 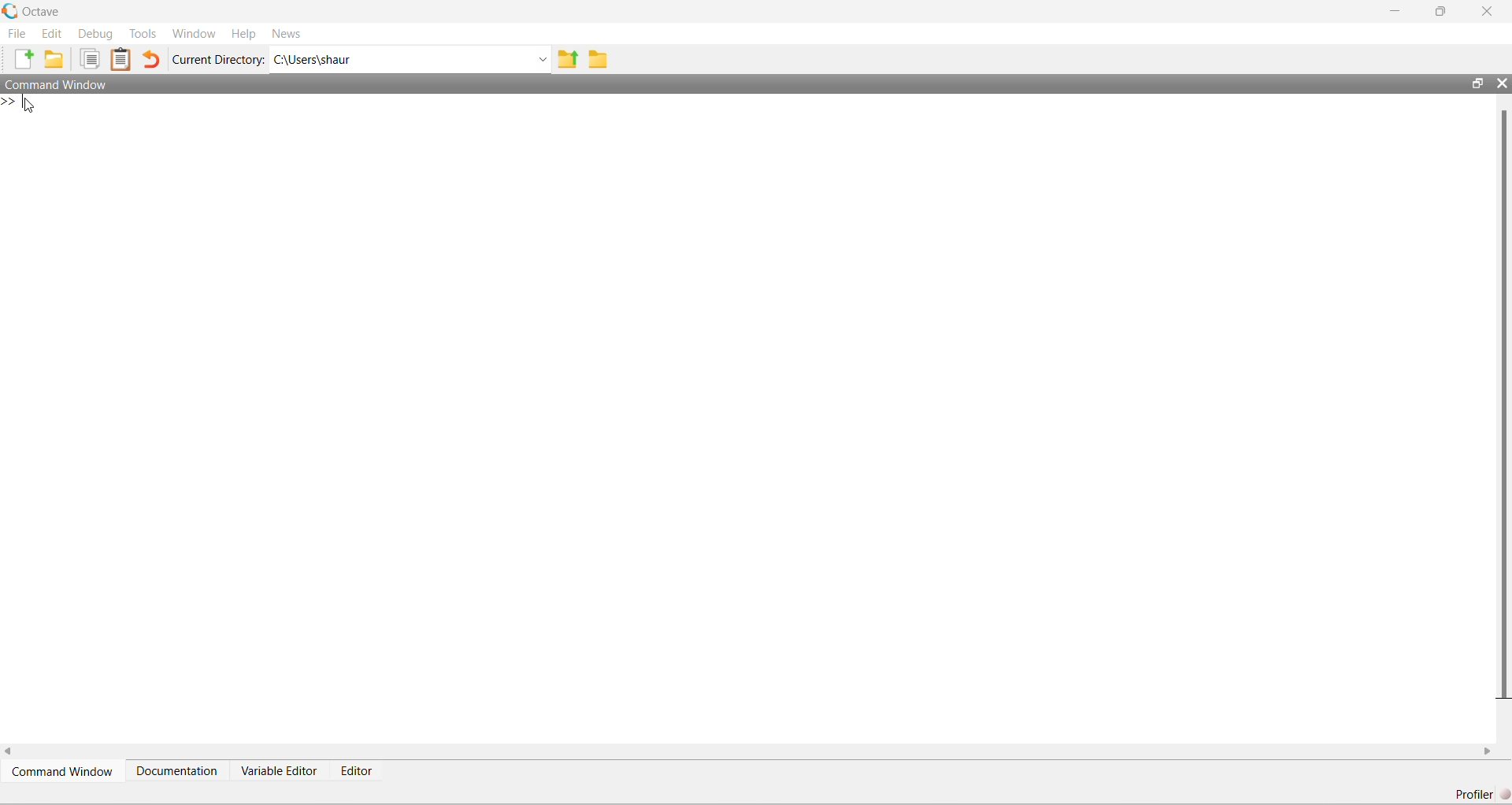 I want to click on Help, so click(x=243, y=33).